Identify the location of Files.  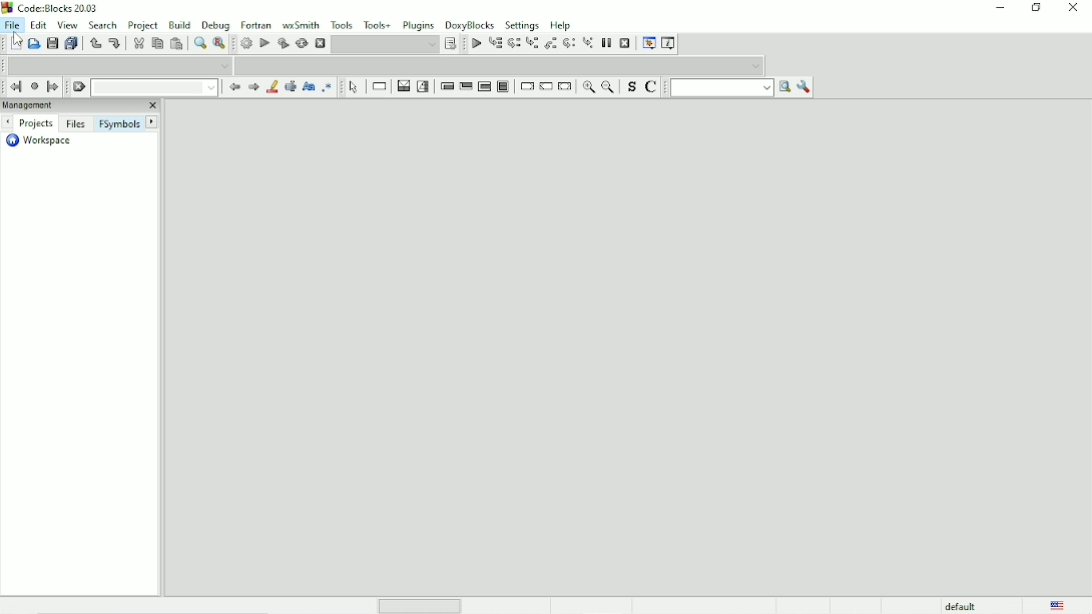
(75, 124).